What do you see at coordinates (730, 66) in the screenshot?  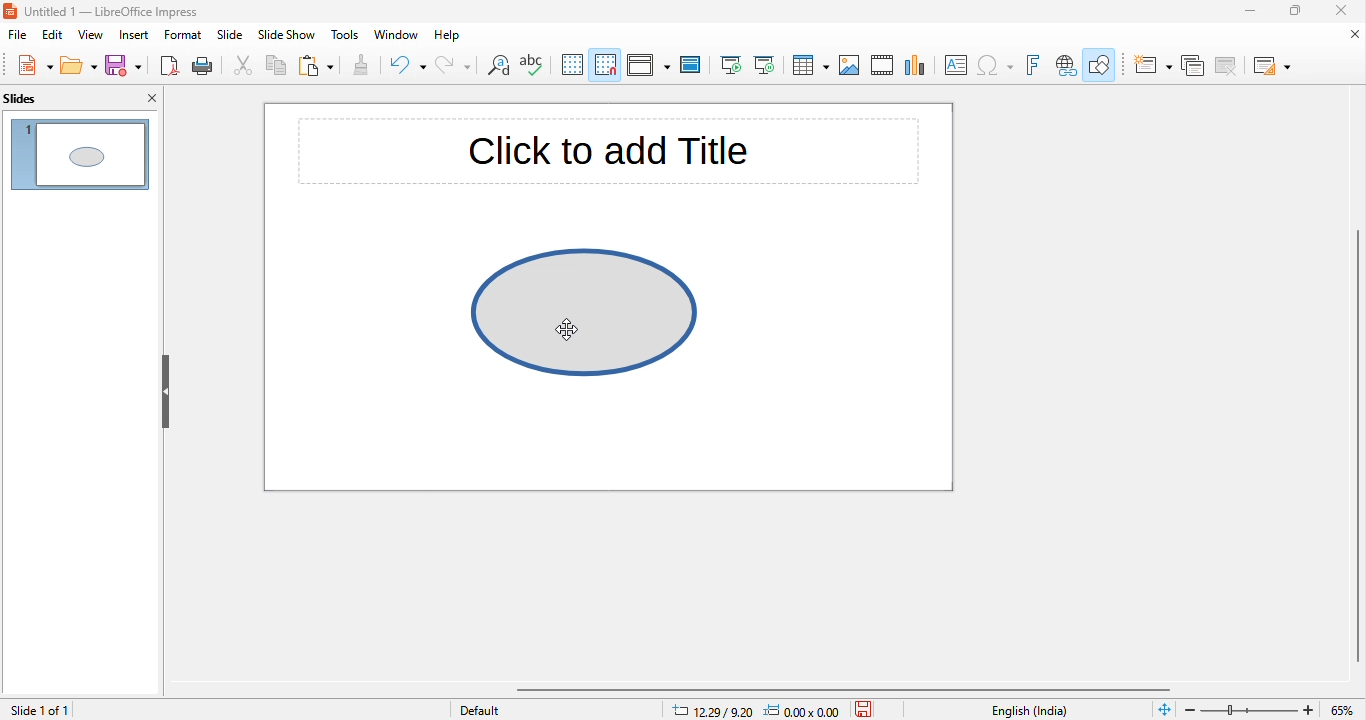 I see `start from first slide` at bounding box center [730, 66].